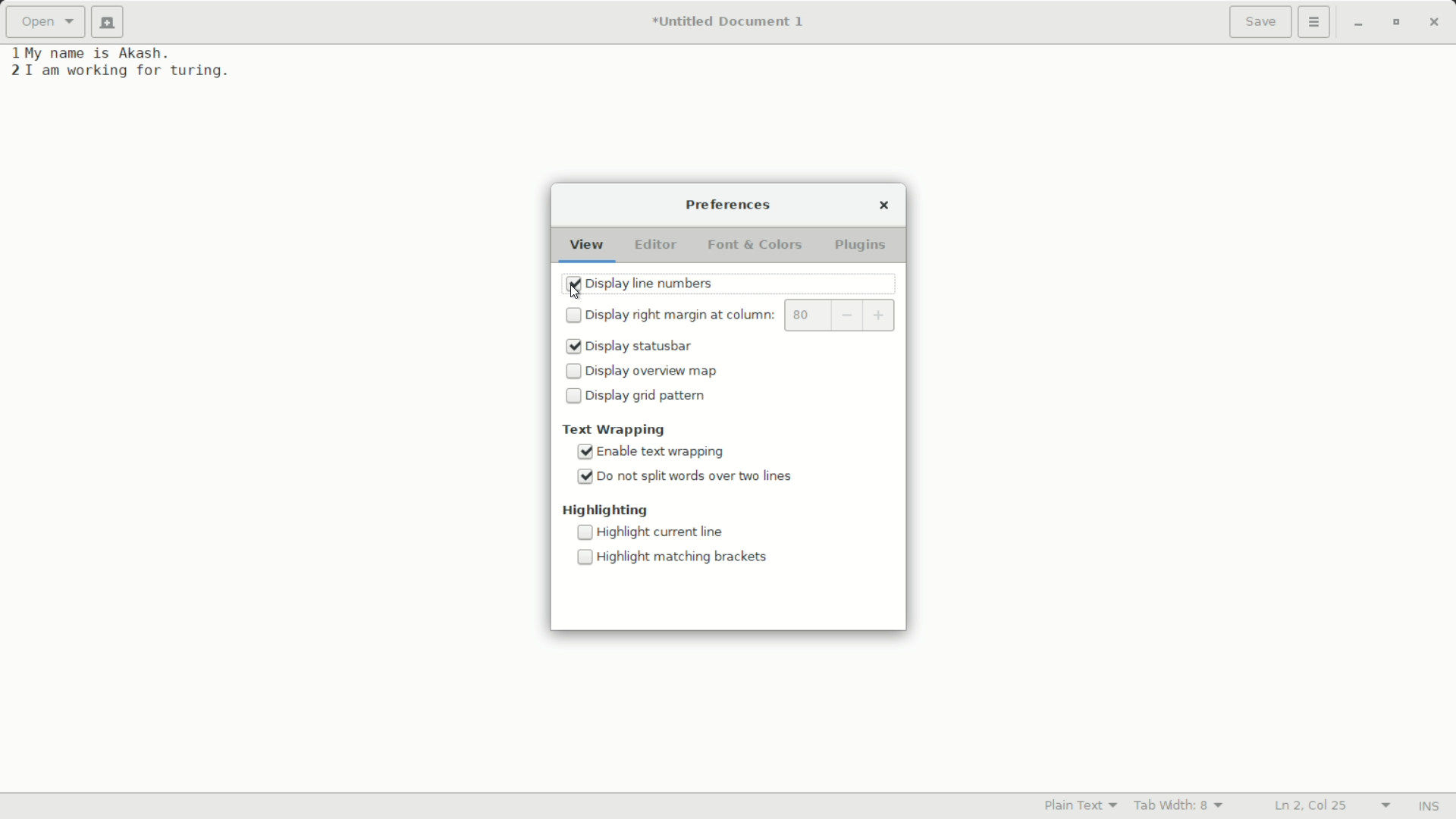 The width and height of the screenshot is (1456, 819). I want to click on open a file, so click(44, 20).